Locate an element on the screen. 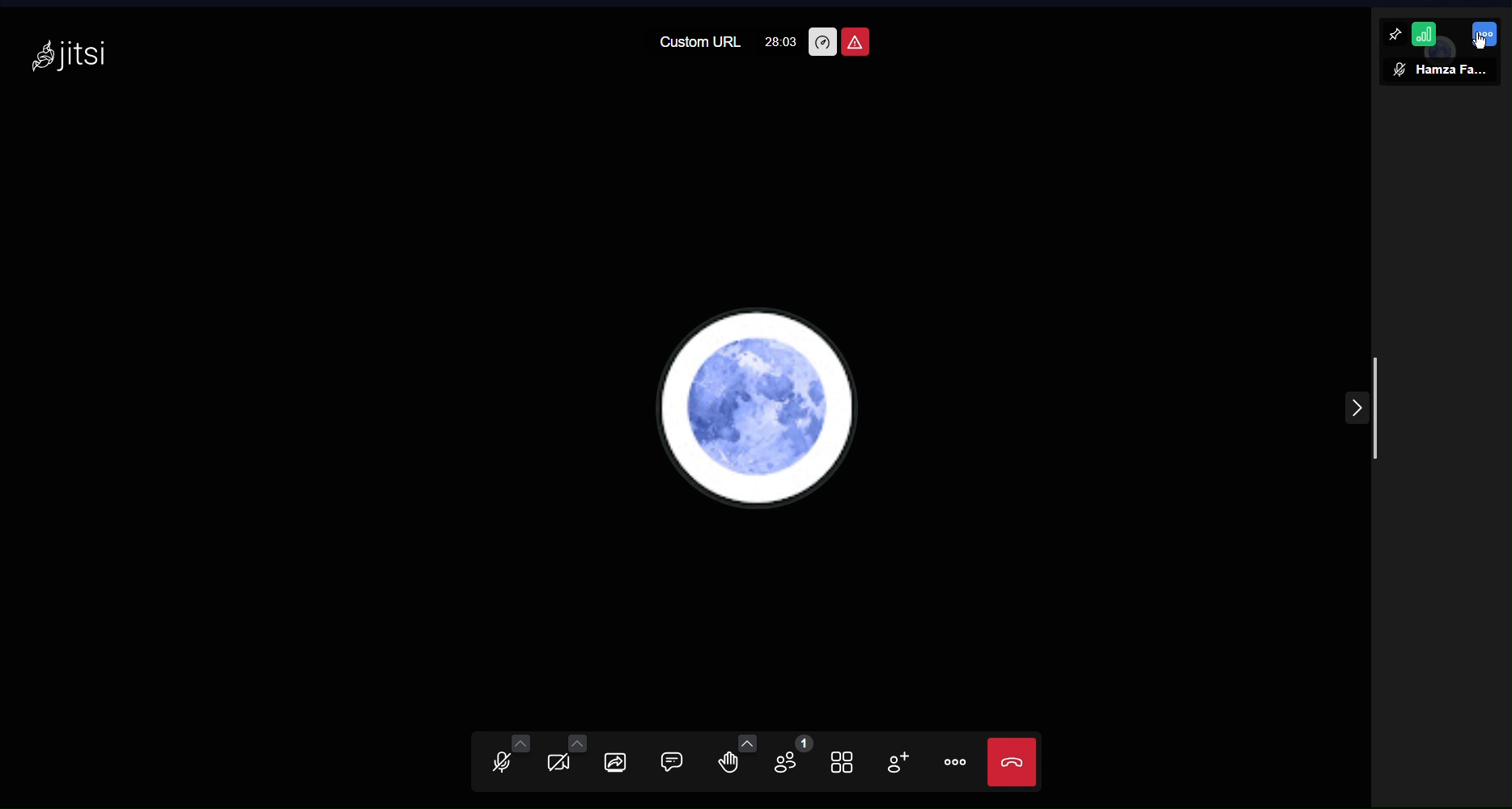  Add Participant is located at coordinates (903, 763).